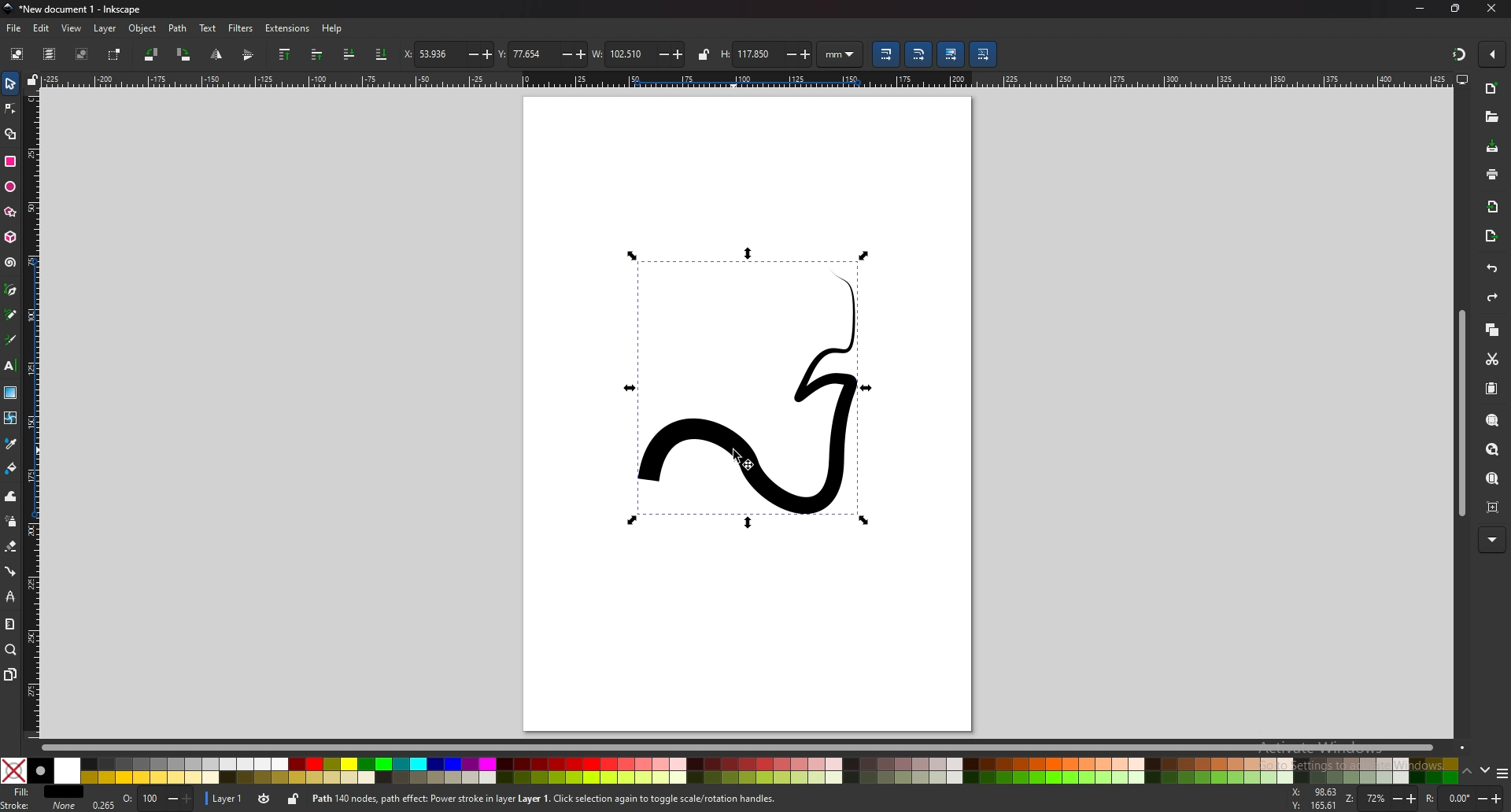 This screenshot has height=812, width=1511. What do you see at coordinates (543, 799) in the screenshot?
I see `info` at bounding box center [543, 799].